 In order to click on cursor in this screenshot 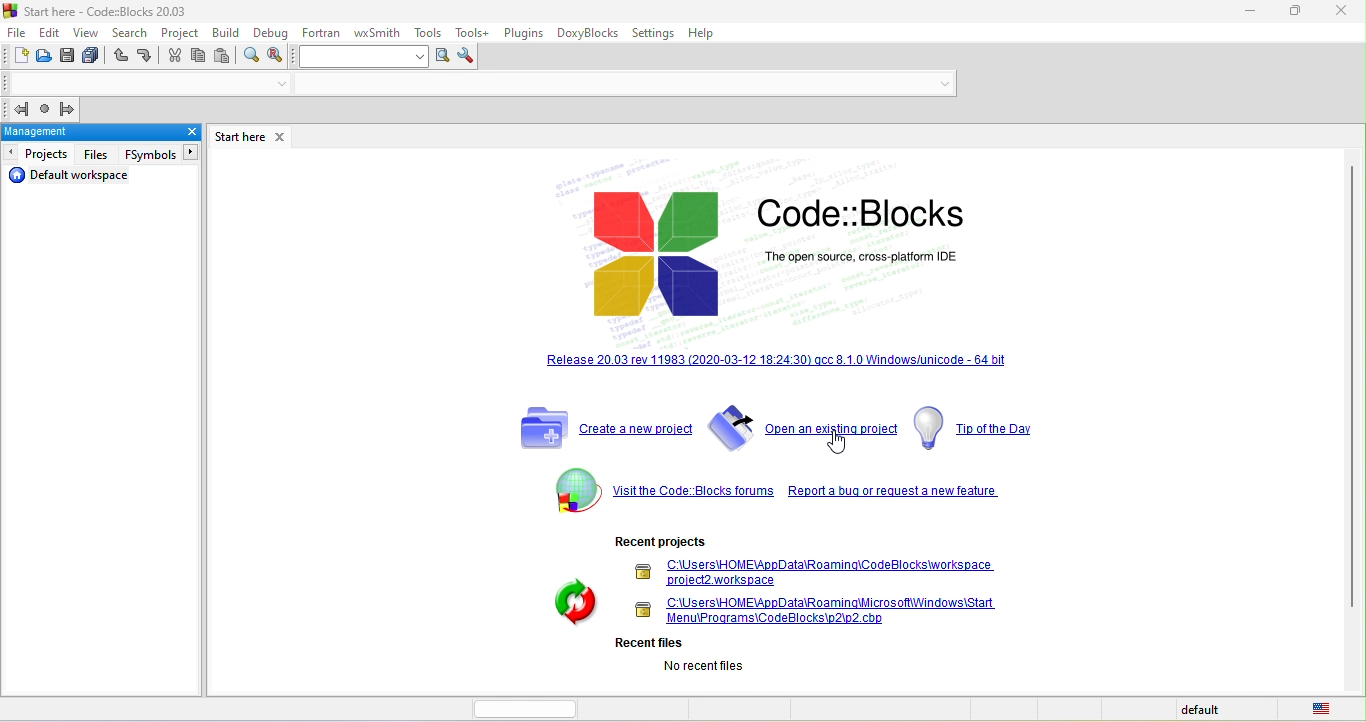, I will do `click(844, 442)`.